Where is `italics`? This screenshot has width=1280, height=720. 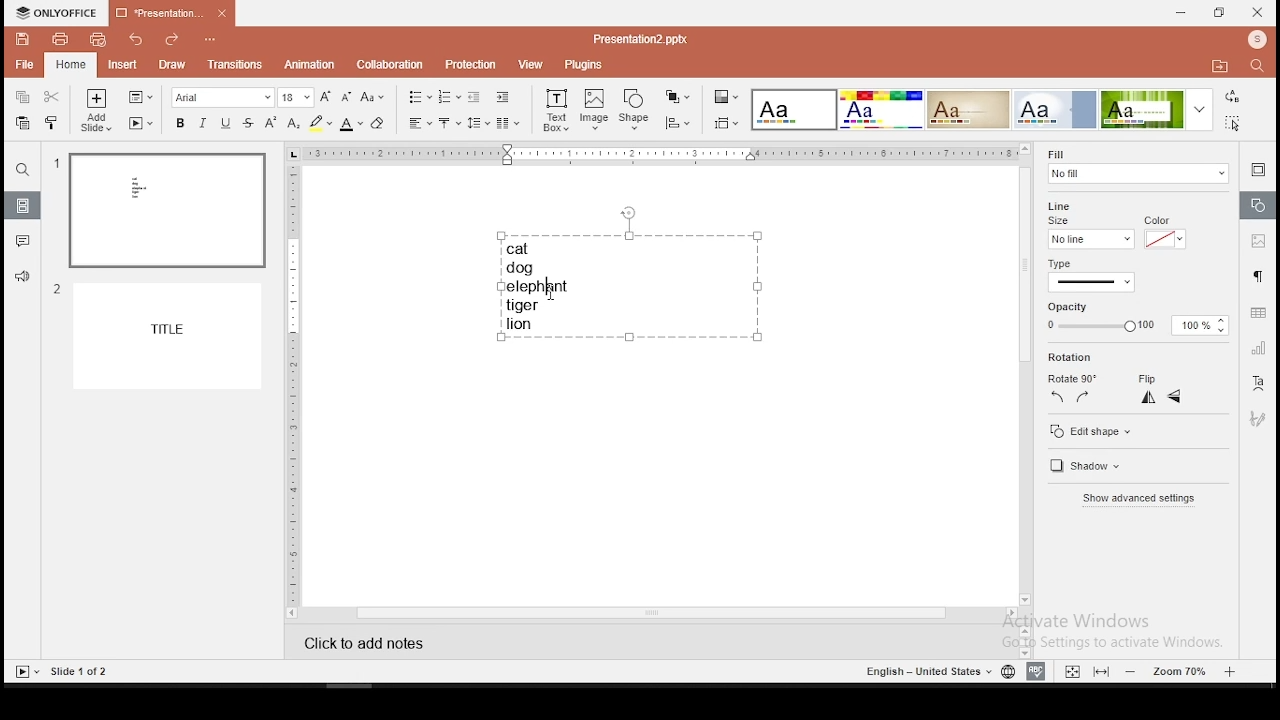 italics is located at coordinates (200, 125).